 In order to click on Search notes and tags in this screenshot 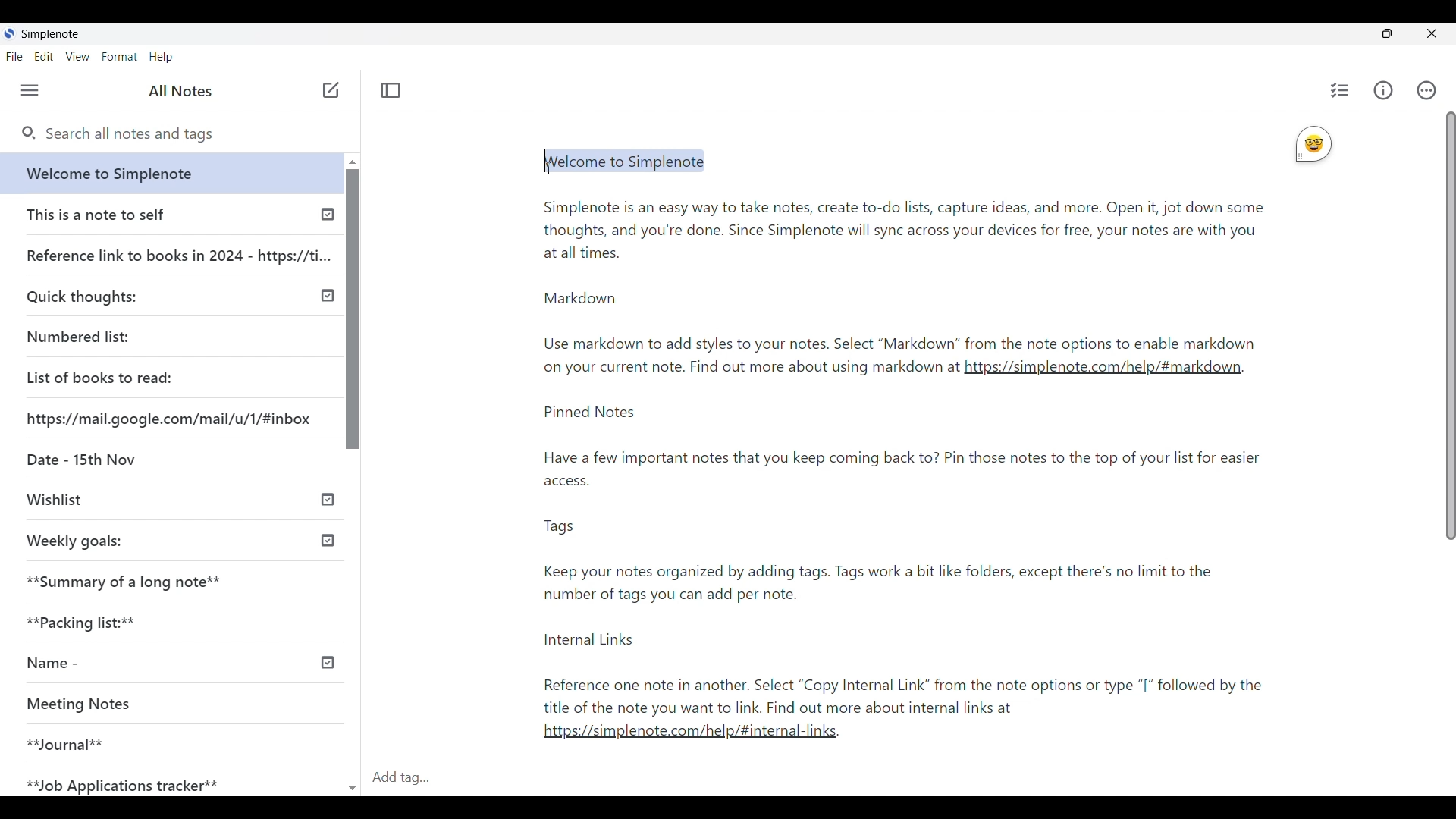, I will do `click(190, 135)`.